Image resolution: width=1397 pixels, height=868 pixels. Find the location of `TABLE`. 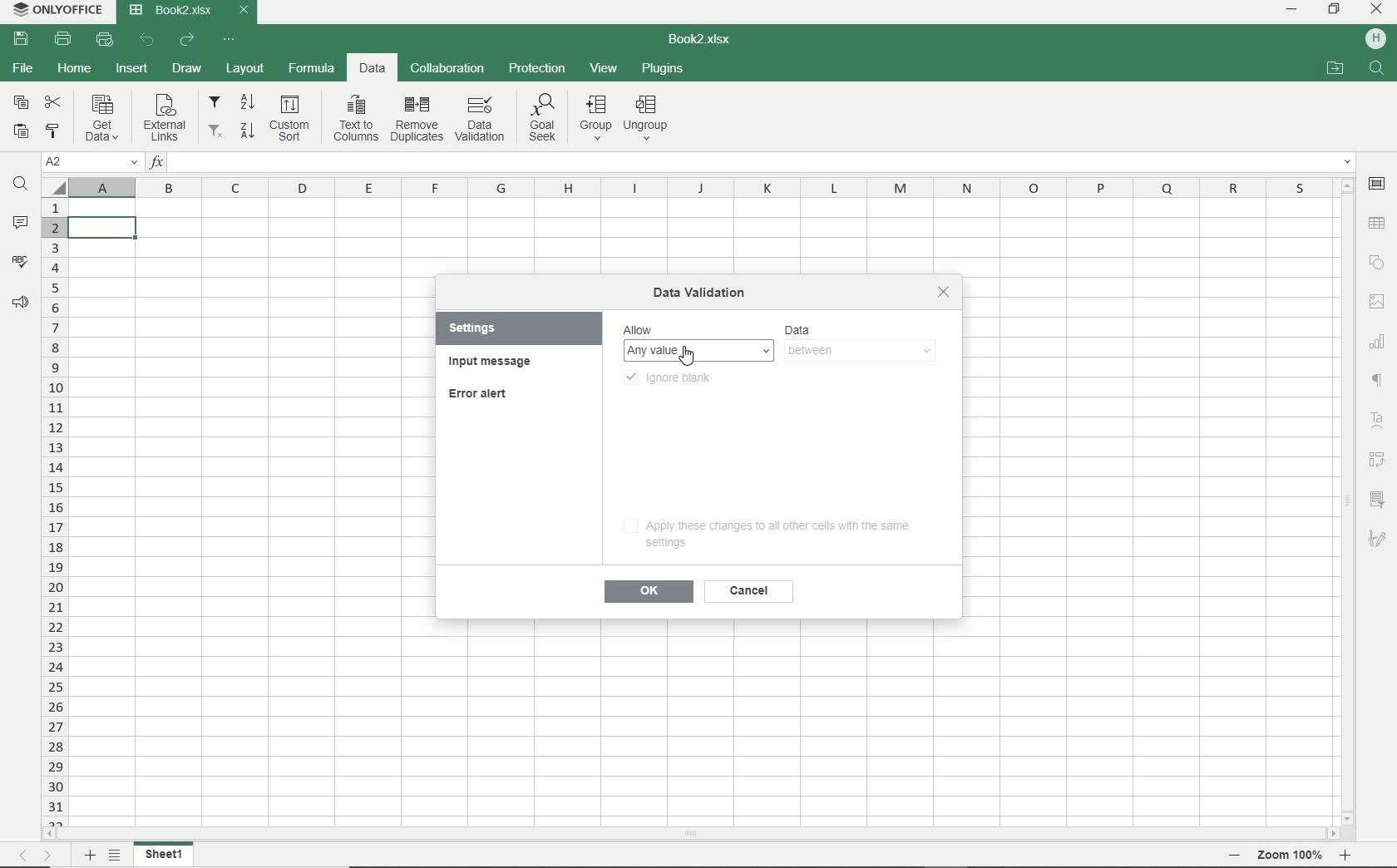

TABLE is located at coordinates (1378, 223).